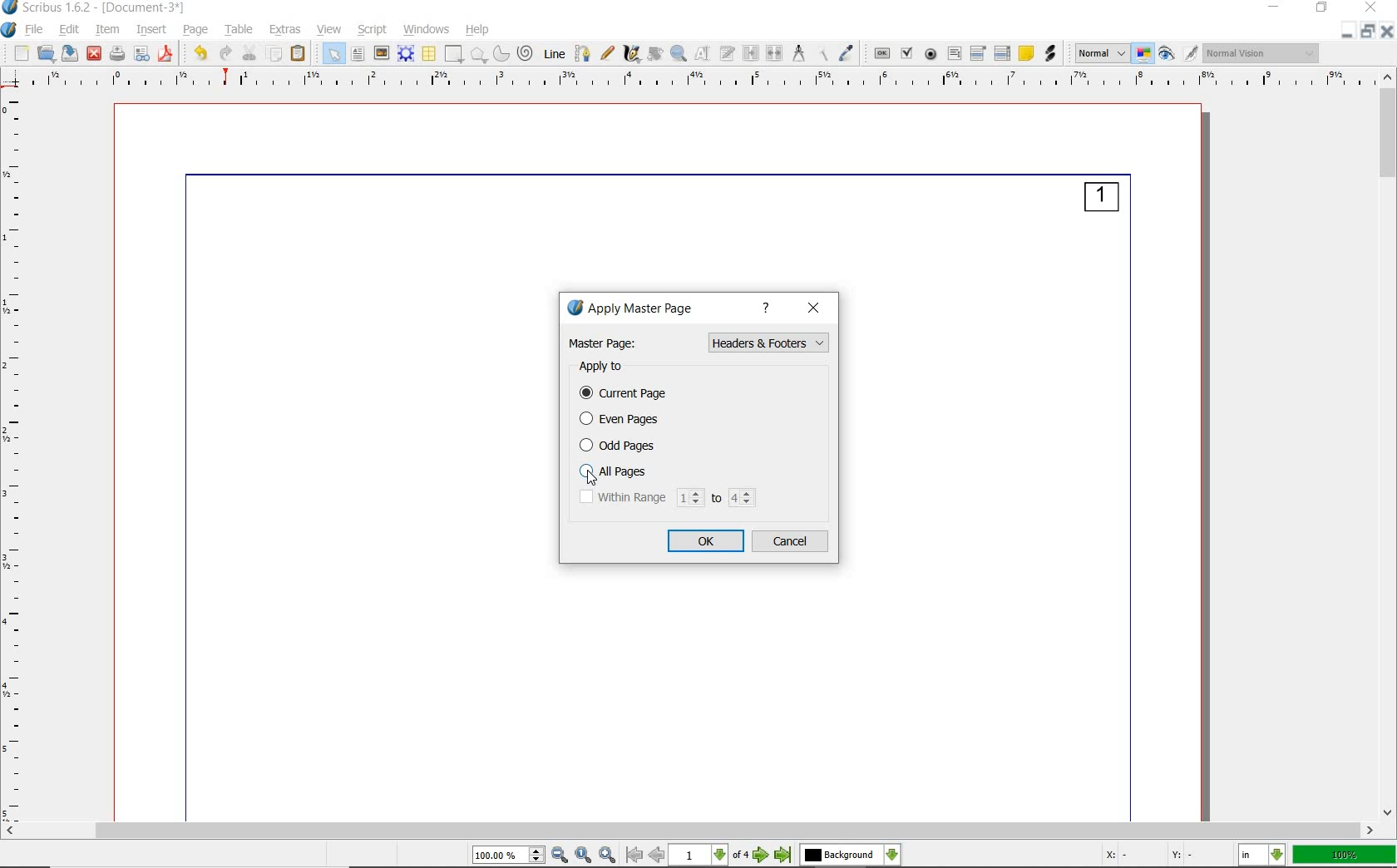 The width and height of the screenshot is (1397, 868). Describe the element at coordinates (407, 53) in the screenshot. I see `render frame` at that location.